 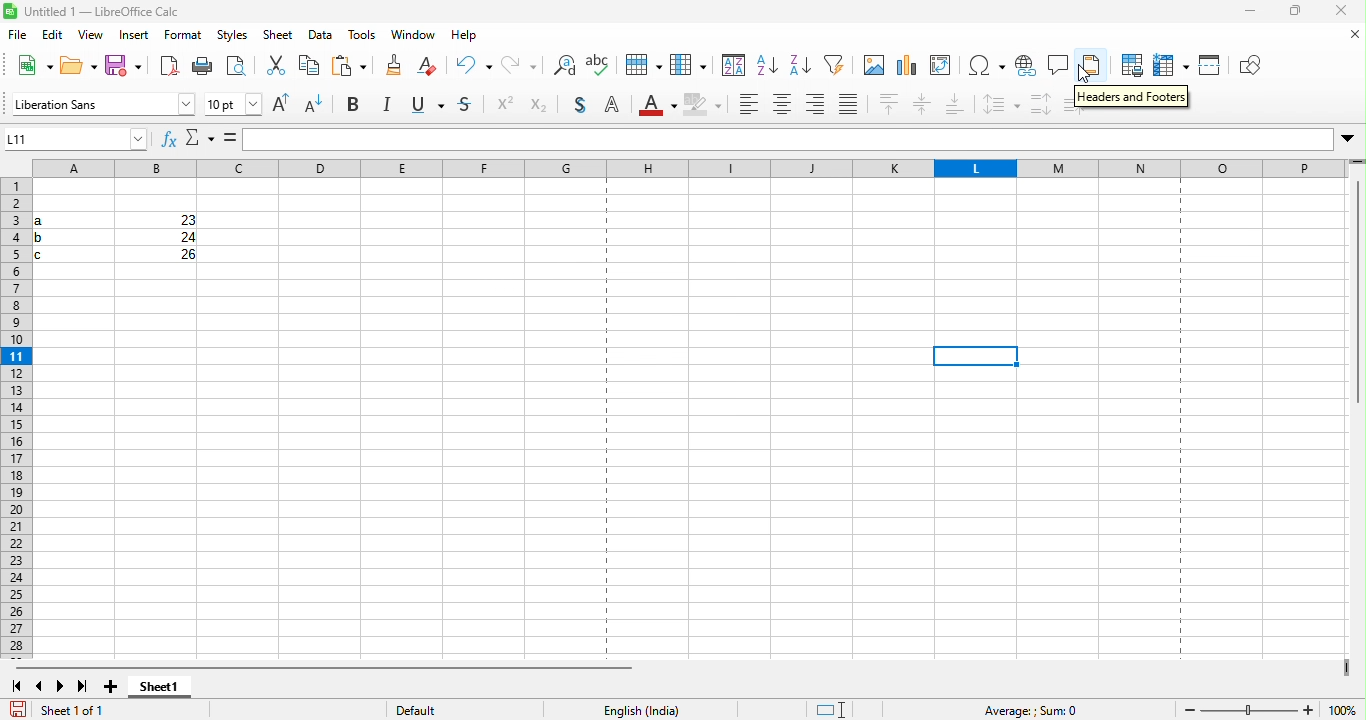 I want to click on undo, so click(x=434, y=68).